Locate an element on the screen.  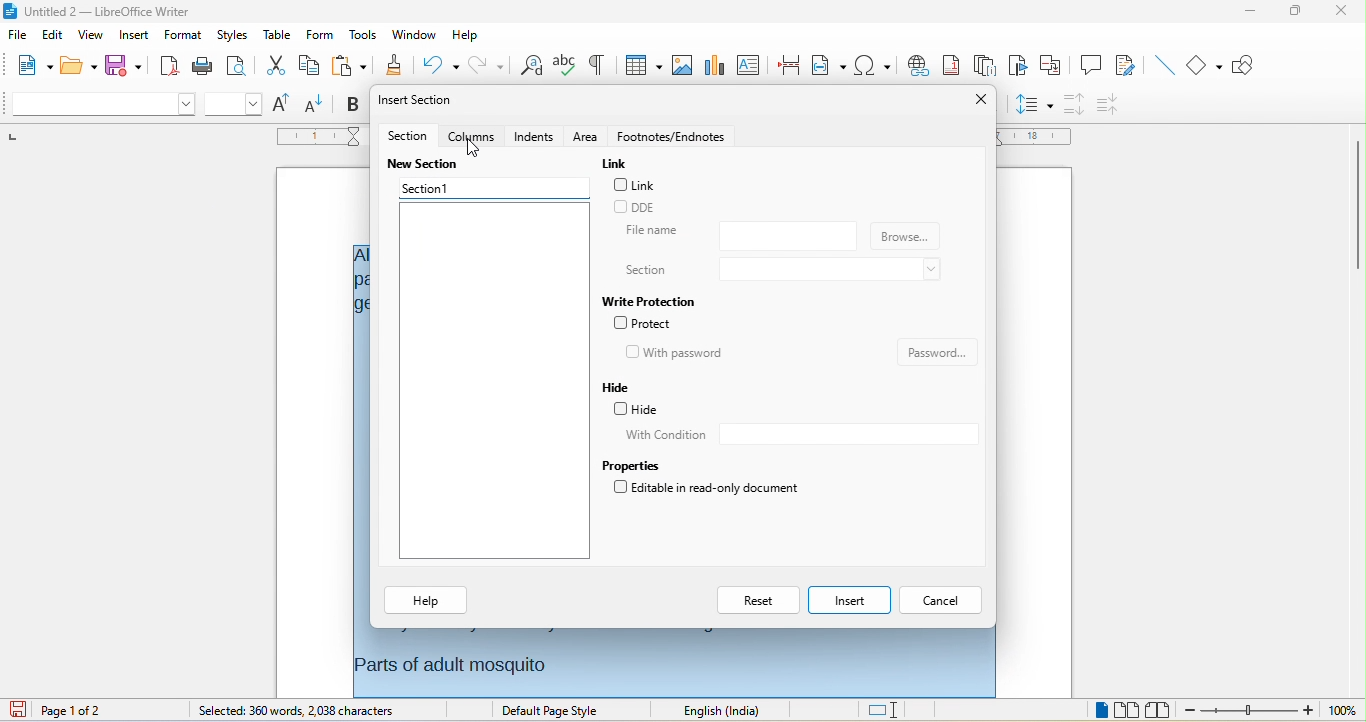
hyperlink is located at coordinates (919, 66).